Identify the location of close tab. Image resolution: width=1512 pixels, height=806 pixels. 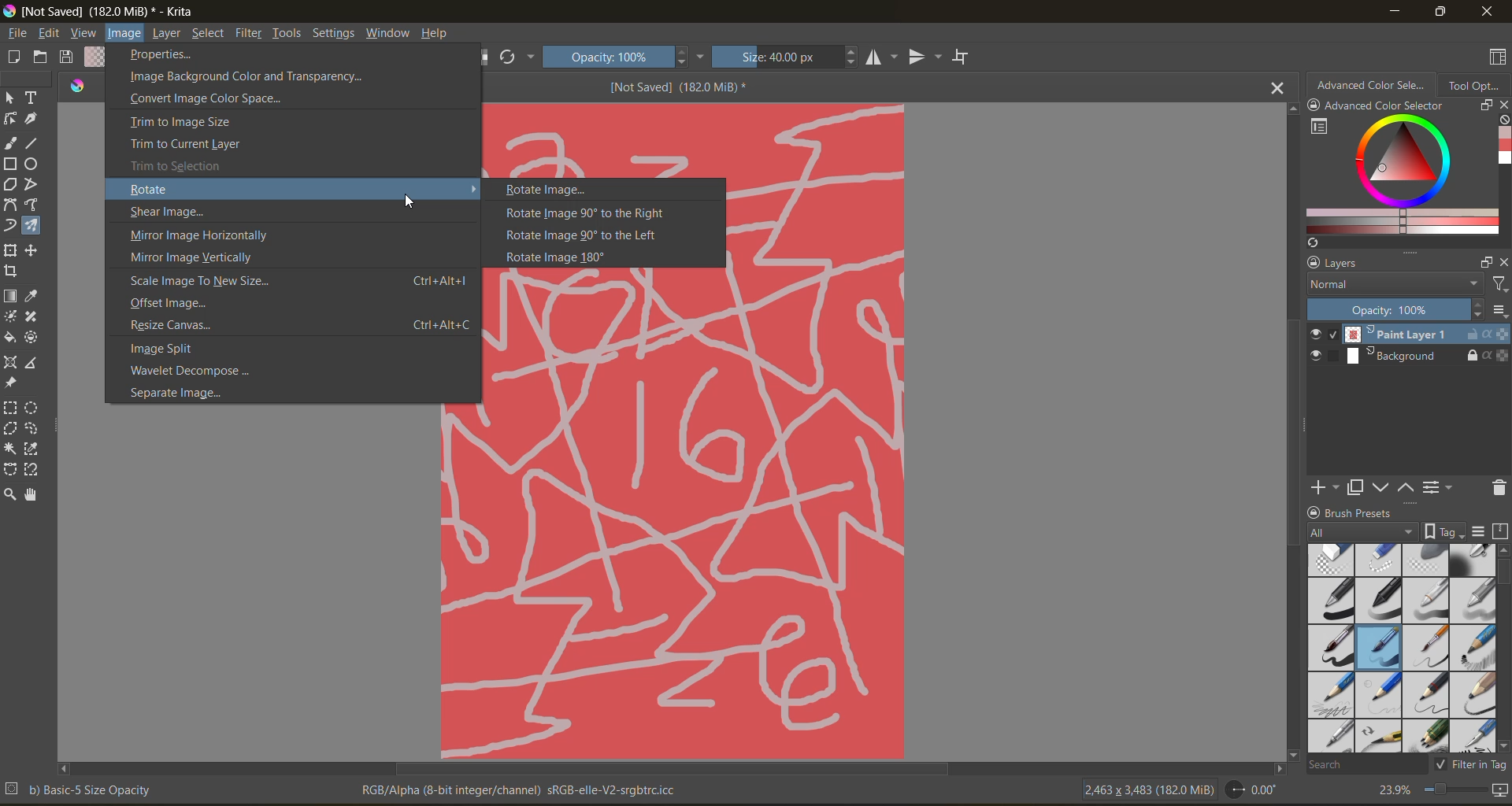
(1276, 91).